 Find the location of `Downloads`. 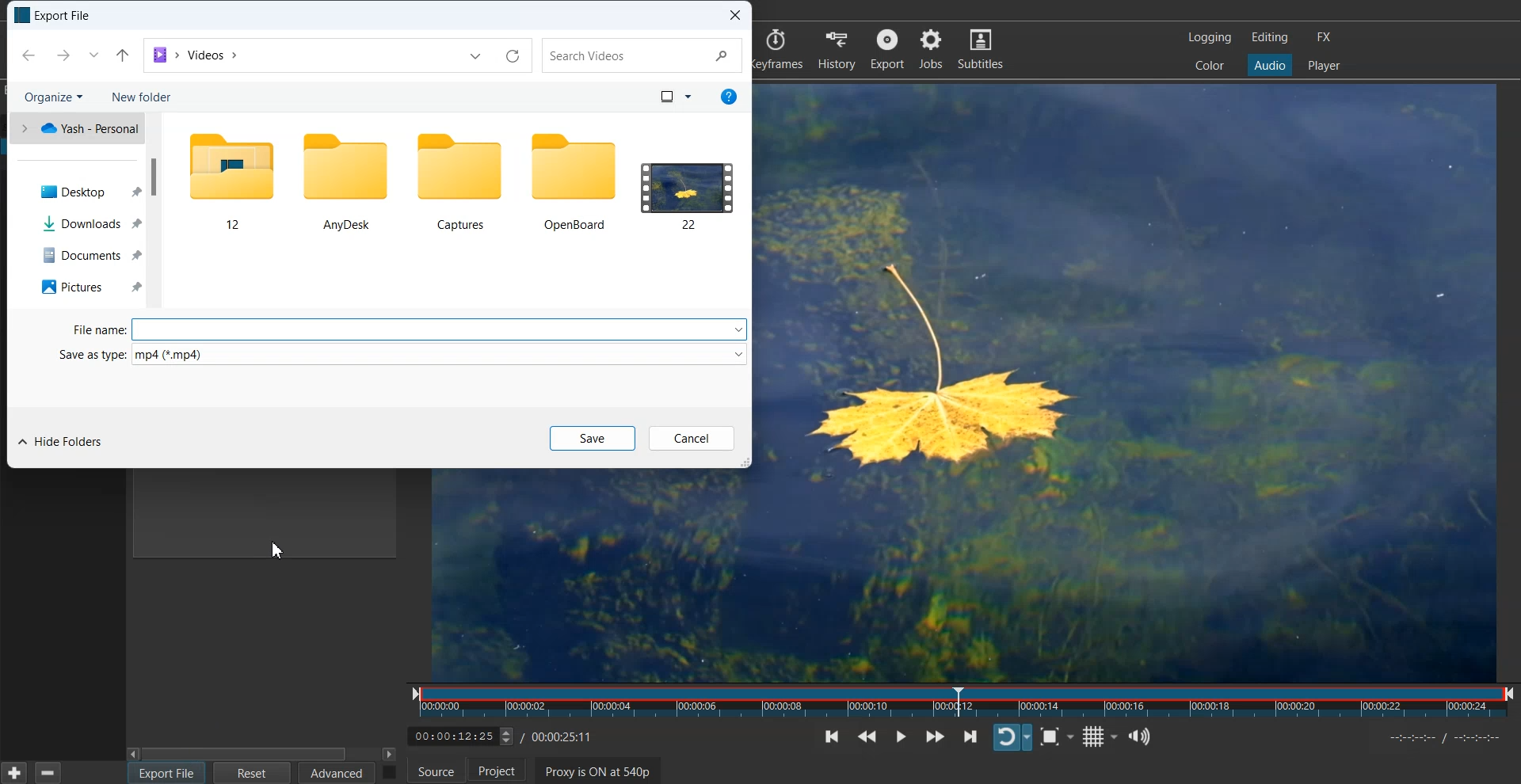

Downloads is located at coordinates (95, 222).